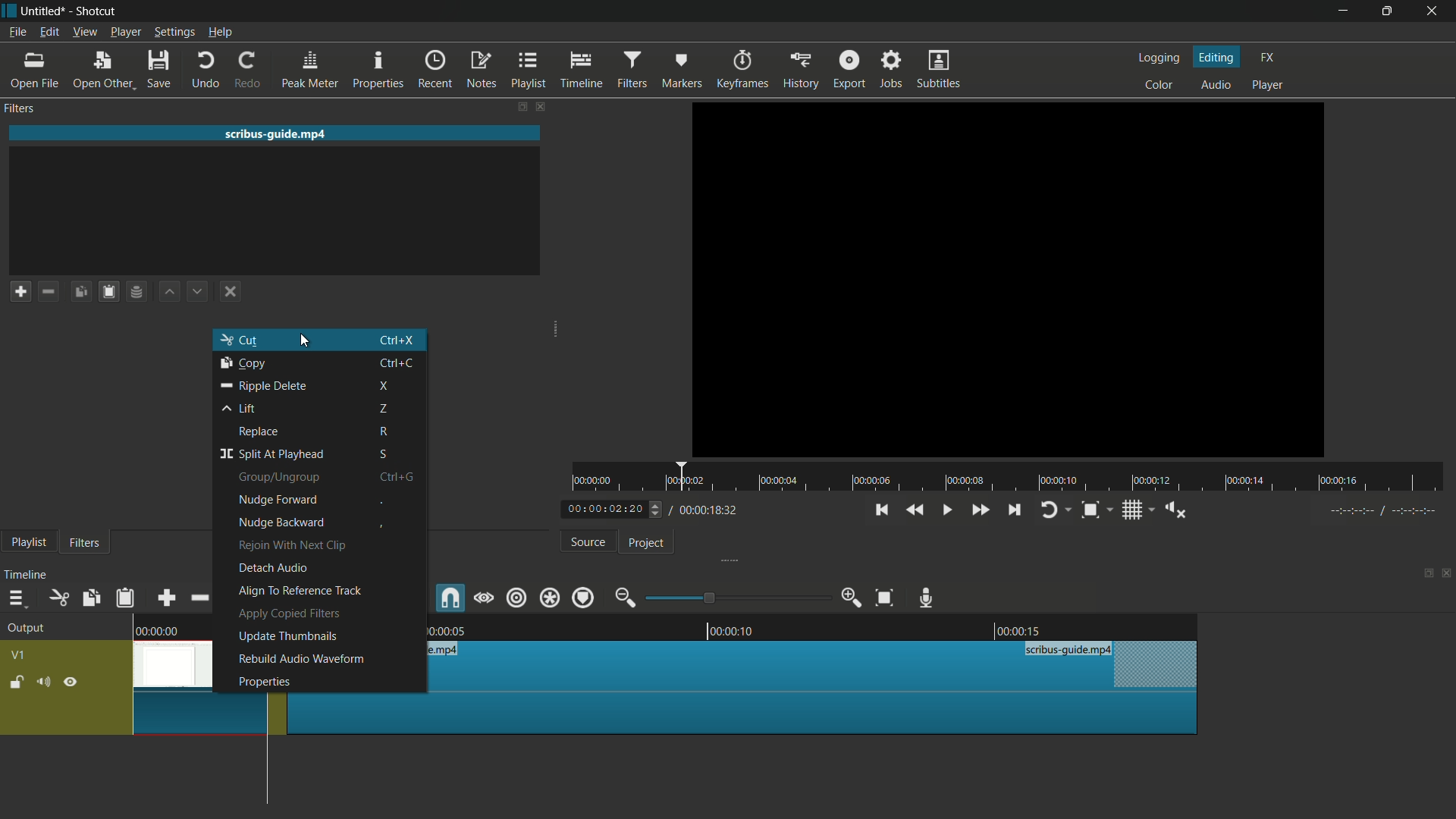 This screenshot has height=819, width=1456. I want to click on timeline menu, so click(15, 598).